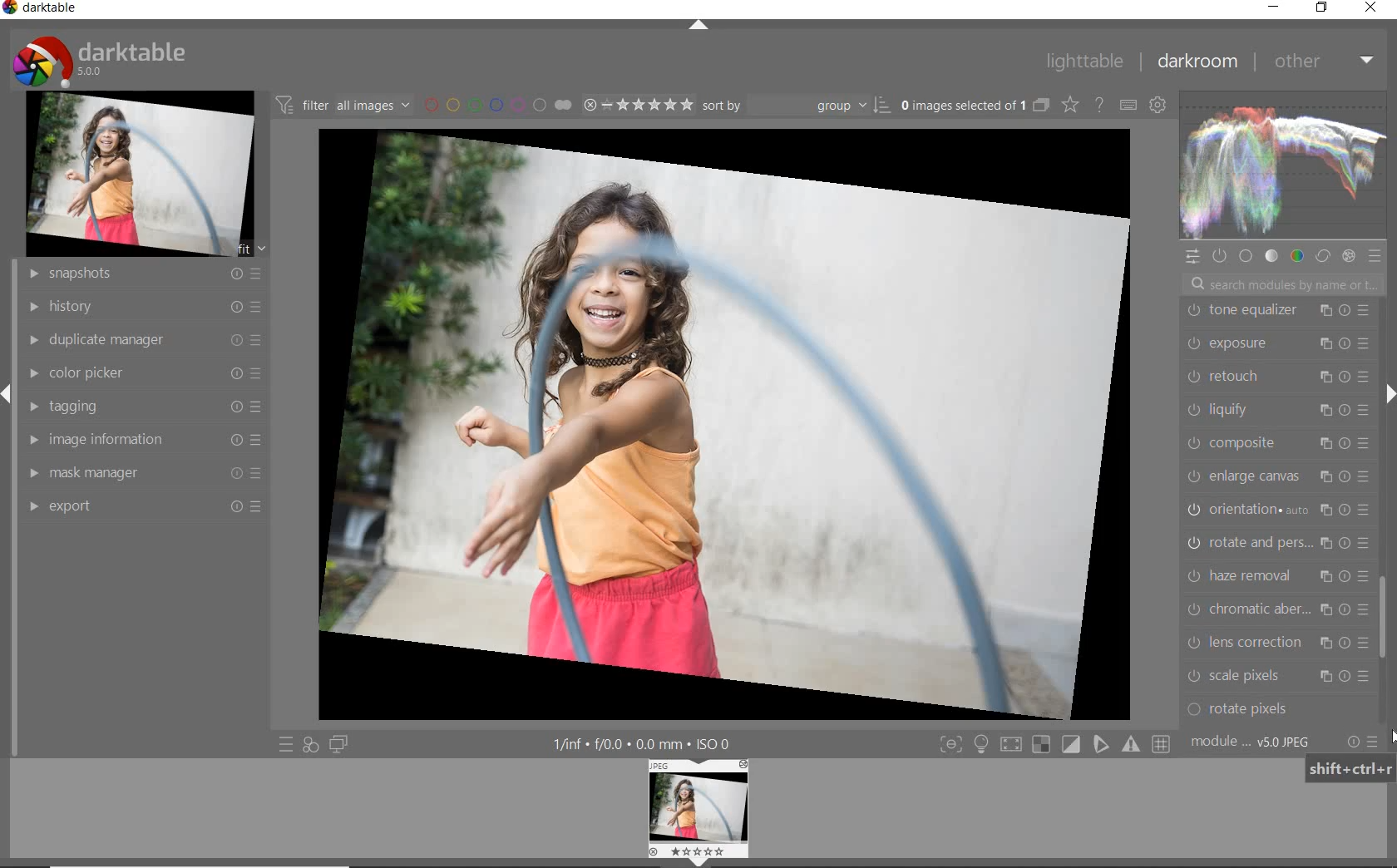 The height and width of the screenshot is (868, 1397). Describe the element at coordinates (1278, 509) in the screenshot. I see `orientation` at that location.